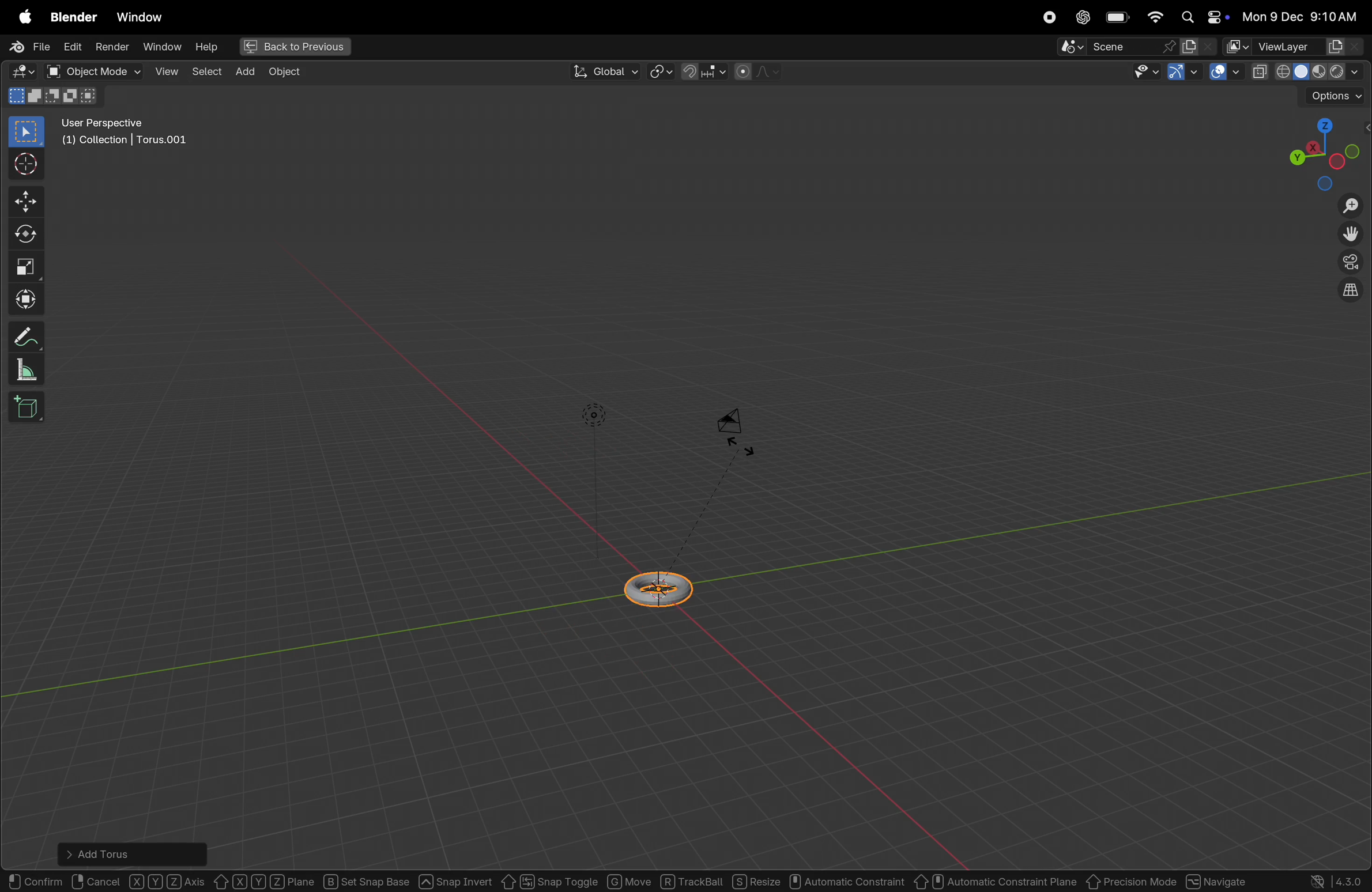  What do you see at coordinates (1238, 46) in the screenshot?
I see `active workscpace` at bounding box center [1238, 46].